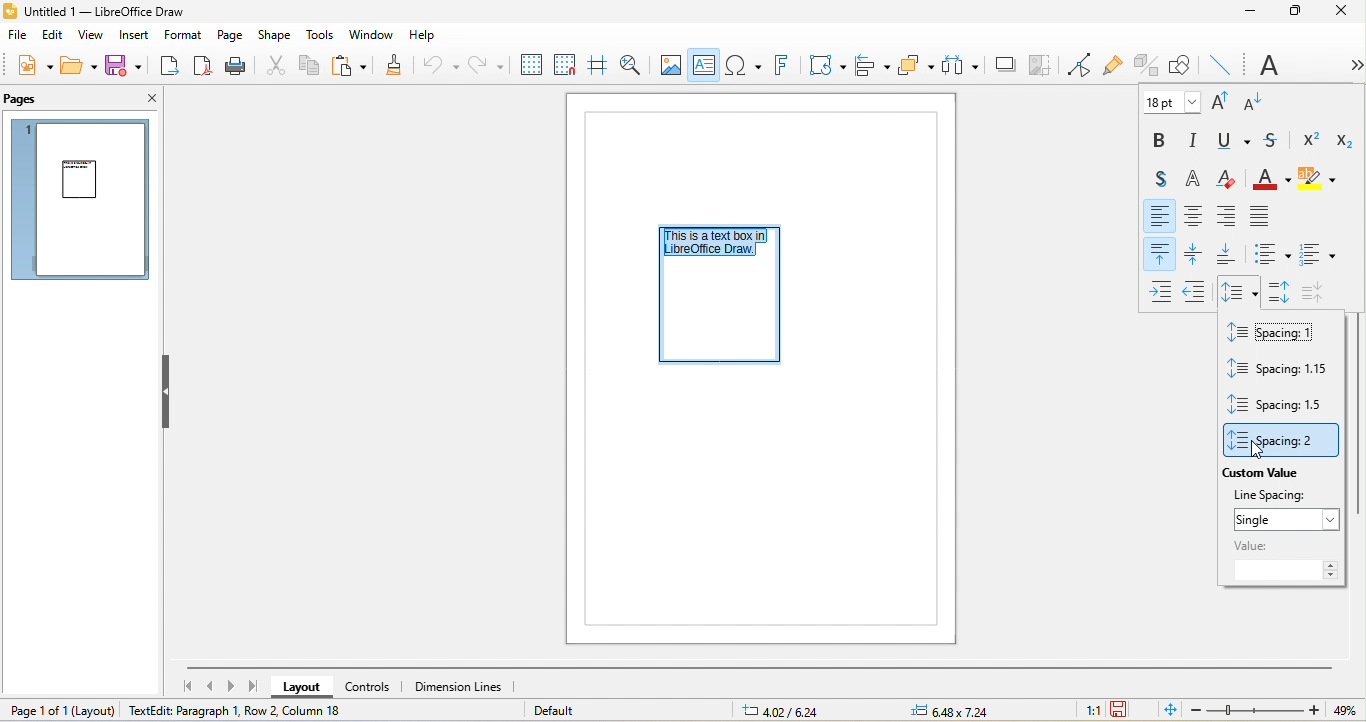 This screenshot has width=1366, height=722. What do you see at coordinates (1243, 290) in the screenshot?
I see `set line spacing` at bounding box center [1243, 290].